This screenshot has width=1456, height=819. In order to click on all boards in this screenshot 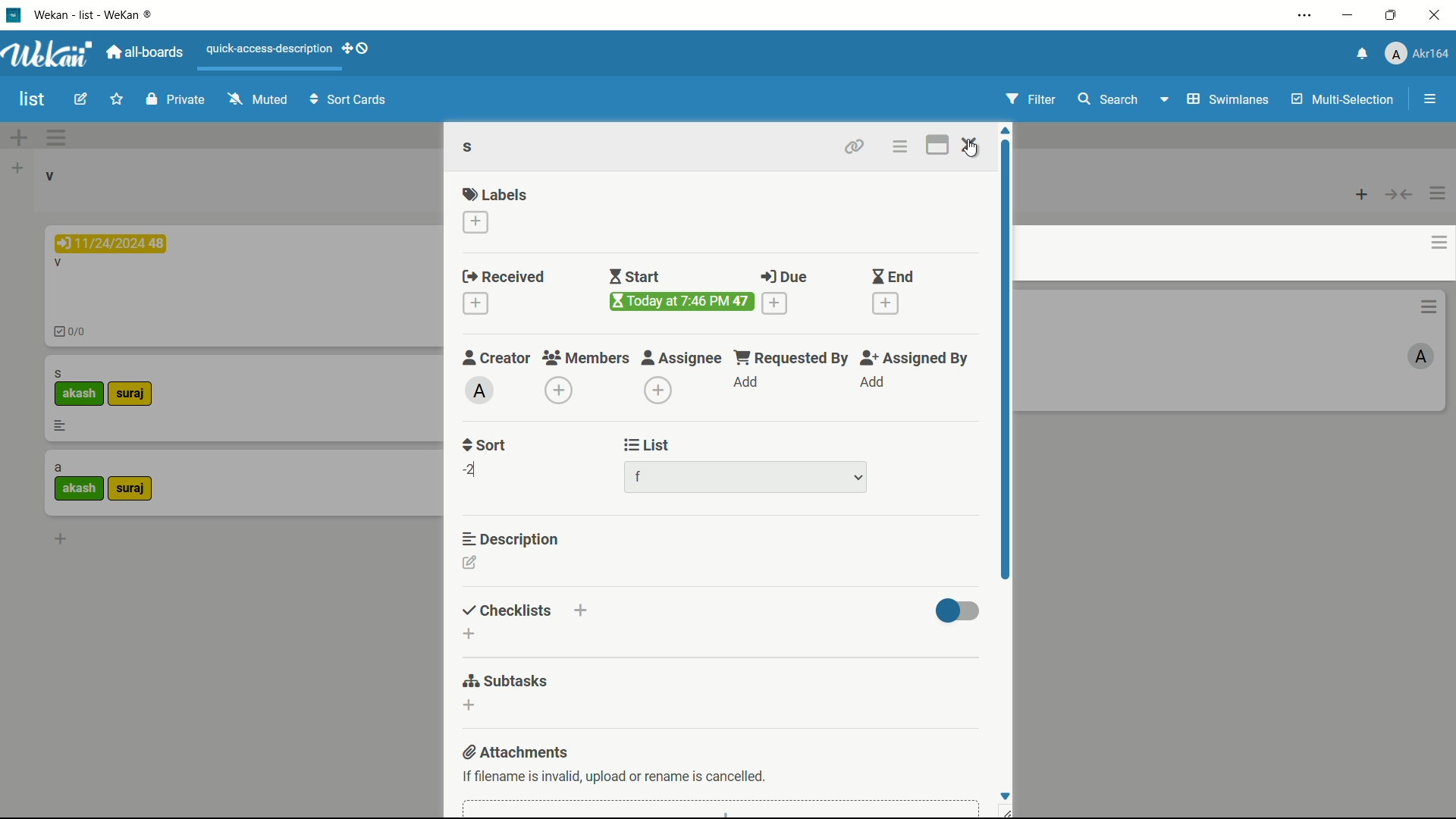, I will do `click(143, 54)`.